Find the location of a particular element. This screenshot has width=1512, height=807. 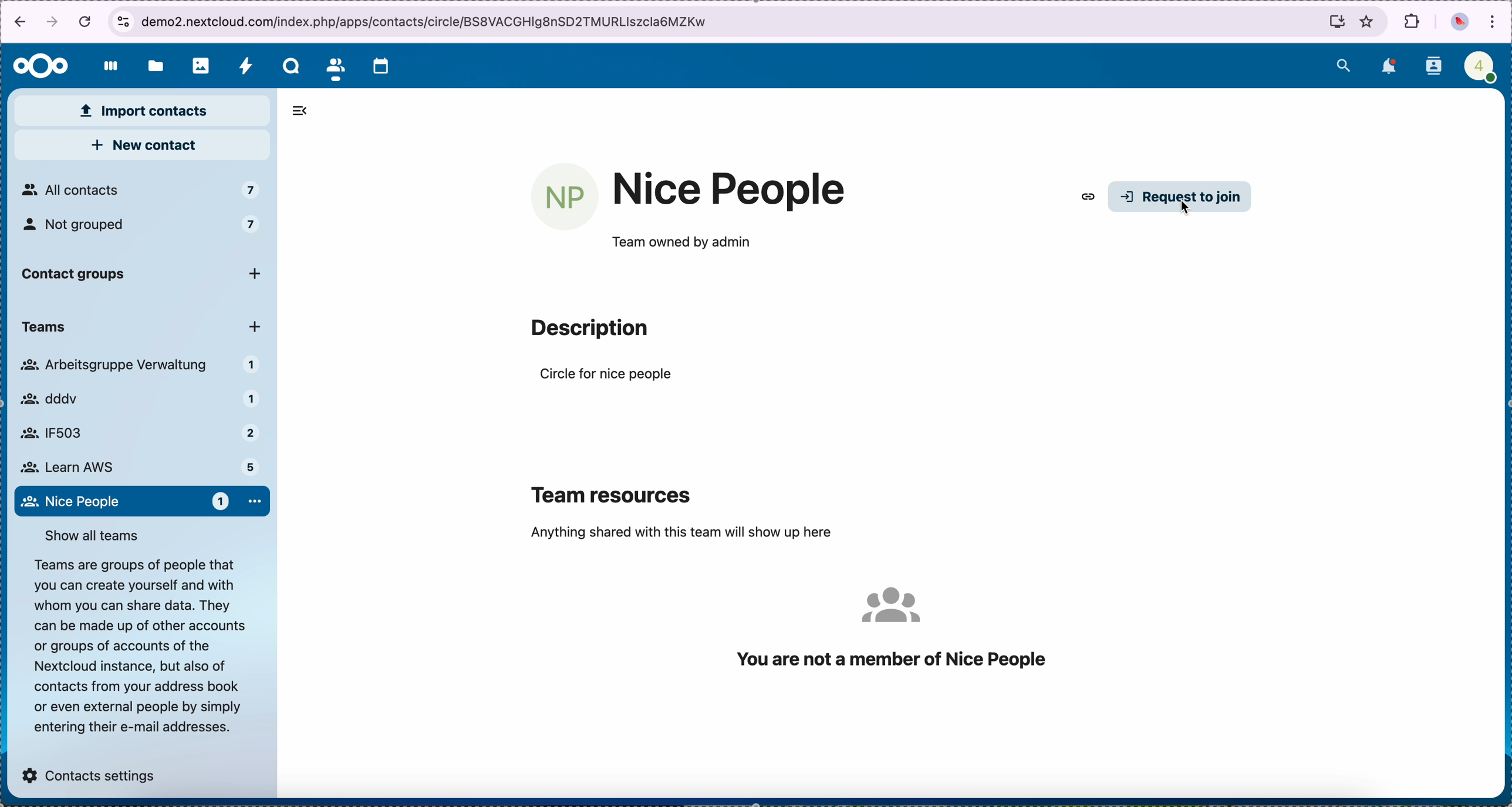

group is located at coordinates (141, 367).